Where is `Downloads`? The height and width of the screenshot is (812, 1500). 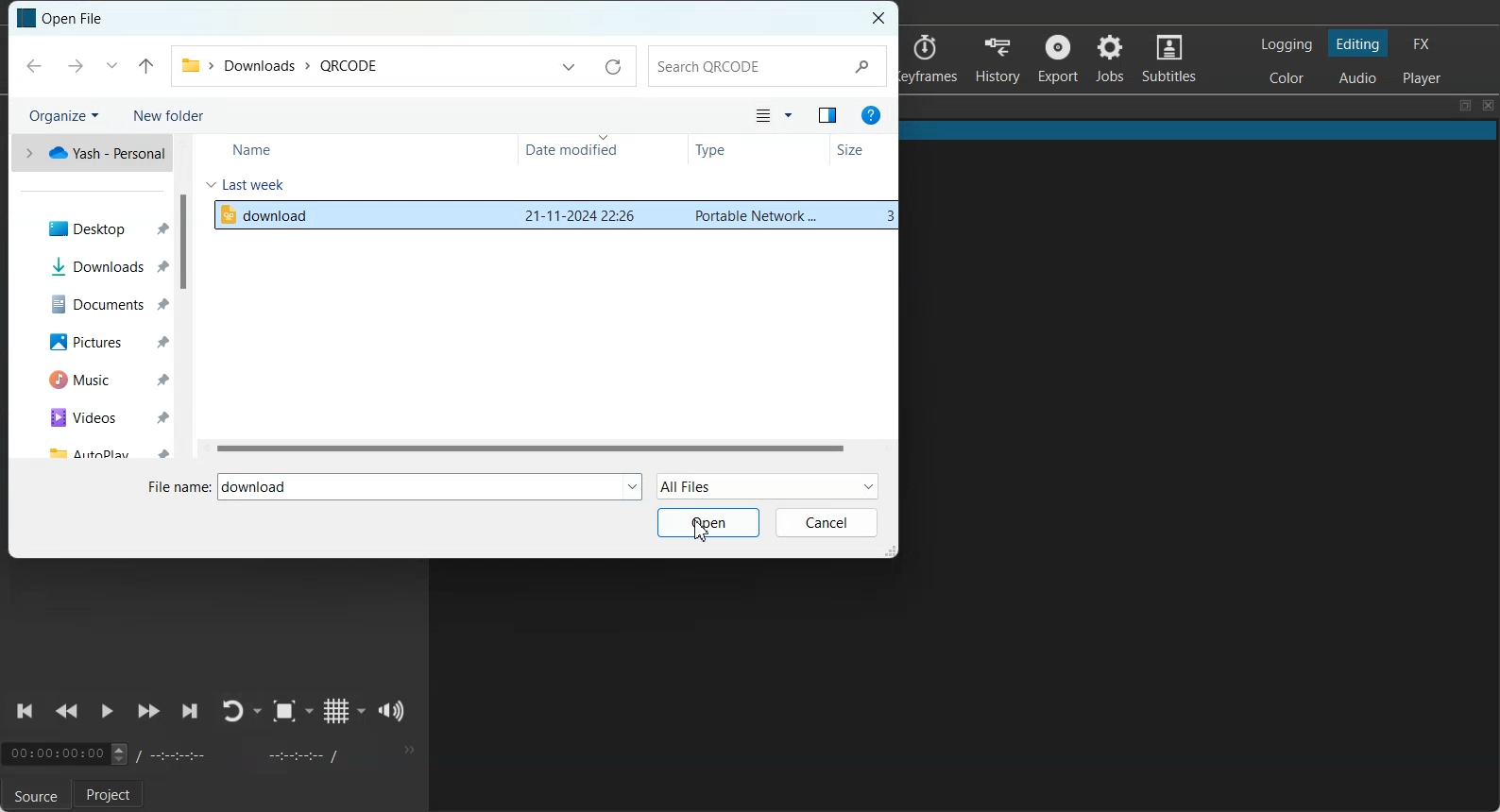 Downloads is located at coordinates (101, 266).